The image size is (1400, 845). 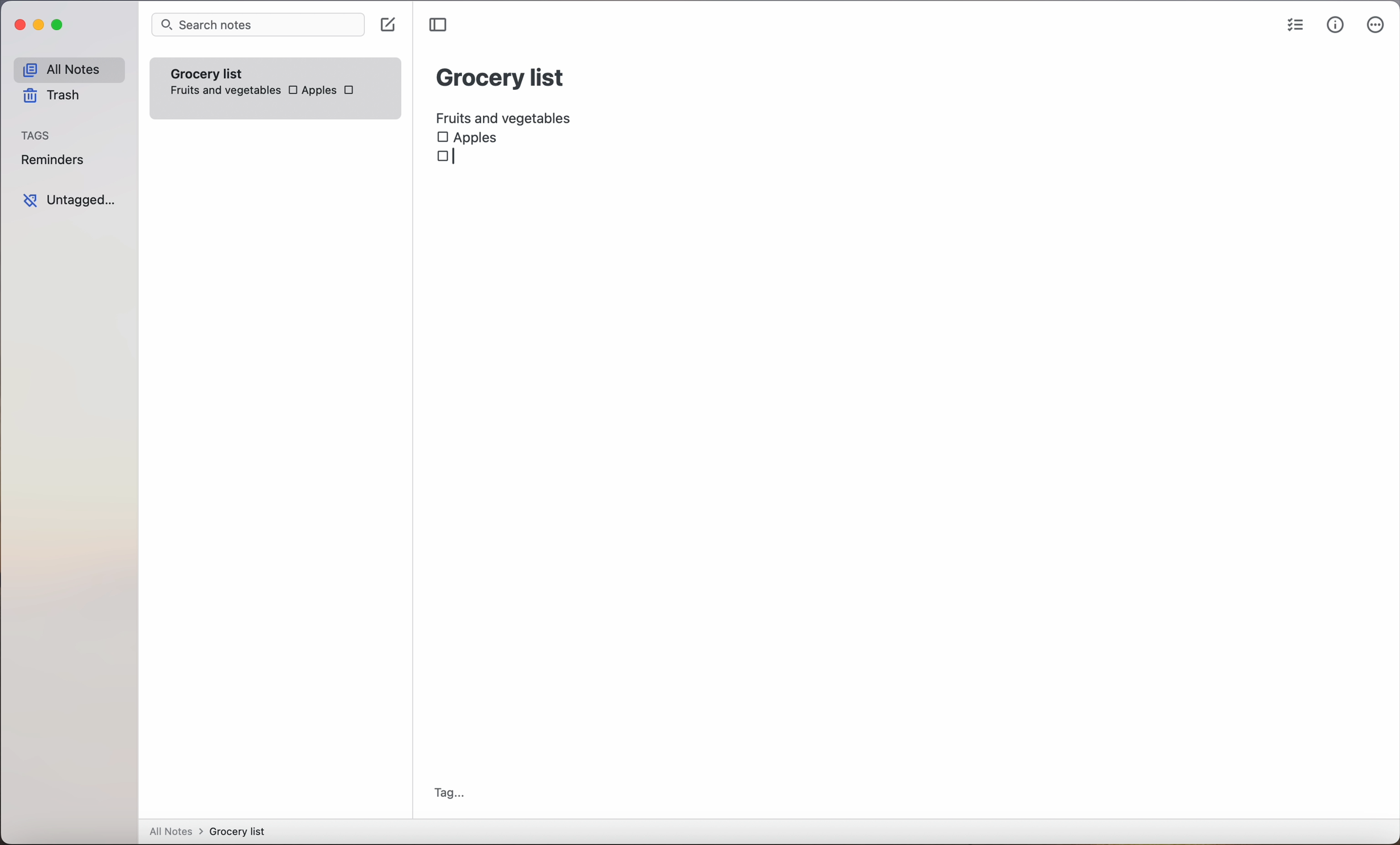 I want to click on toggle sidebar, so click(x=440, y=25).